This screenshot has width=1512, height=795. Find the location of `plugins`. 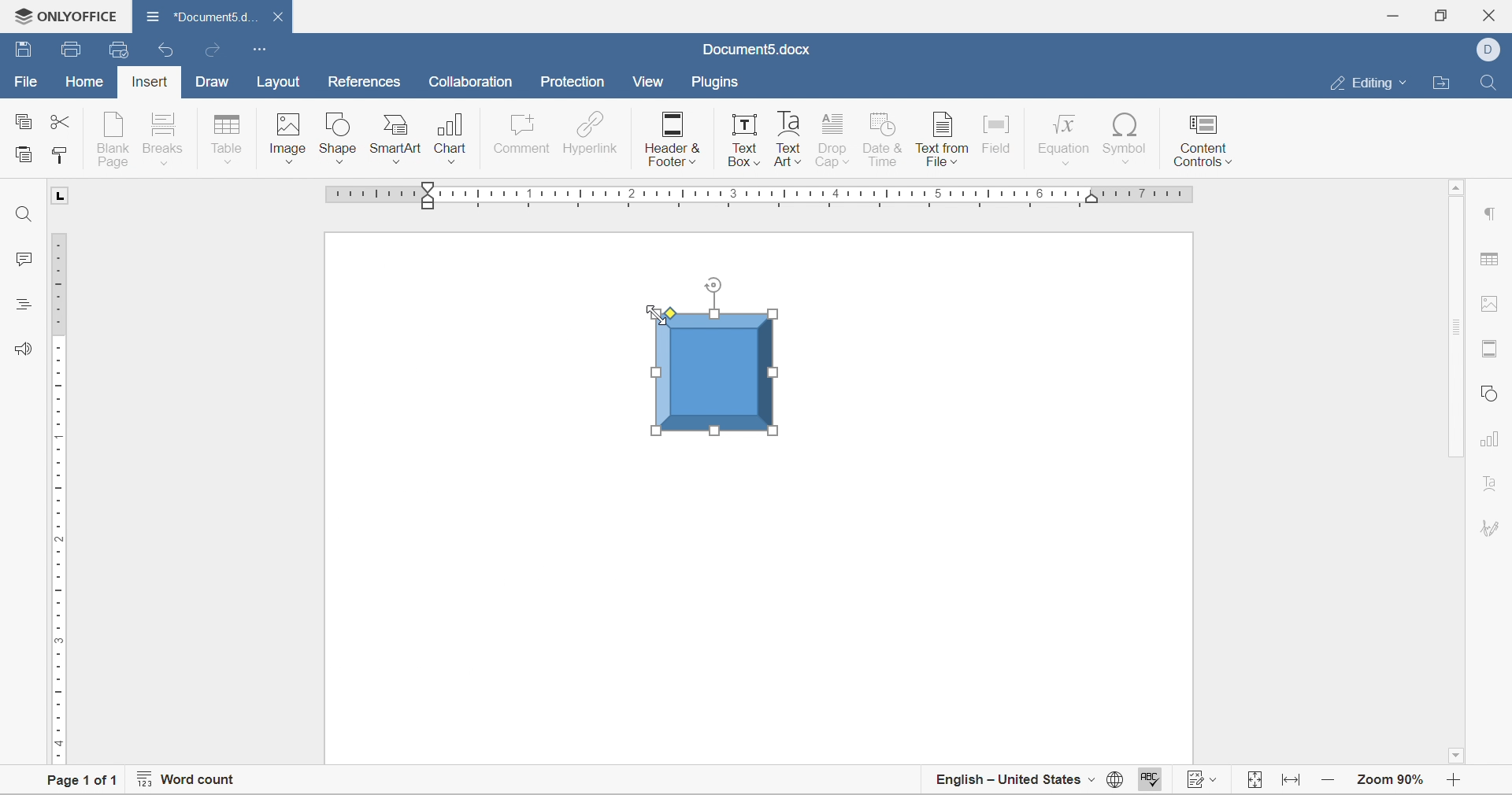

plugins is located at coordinates (717, 85).